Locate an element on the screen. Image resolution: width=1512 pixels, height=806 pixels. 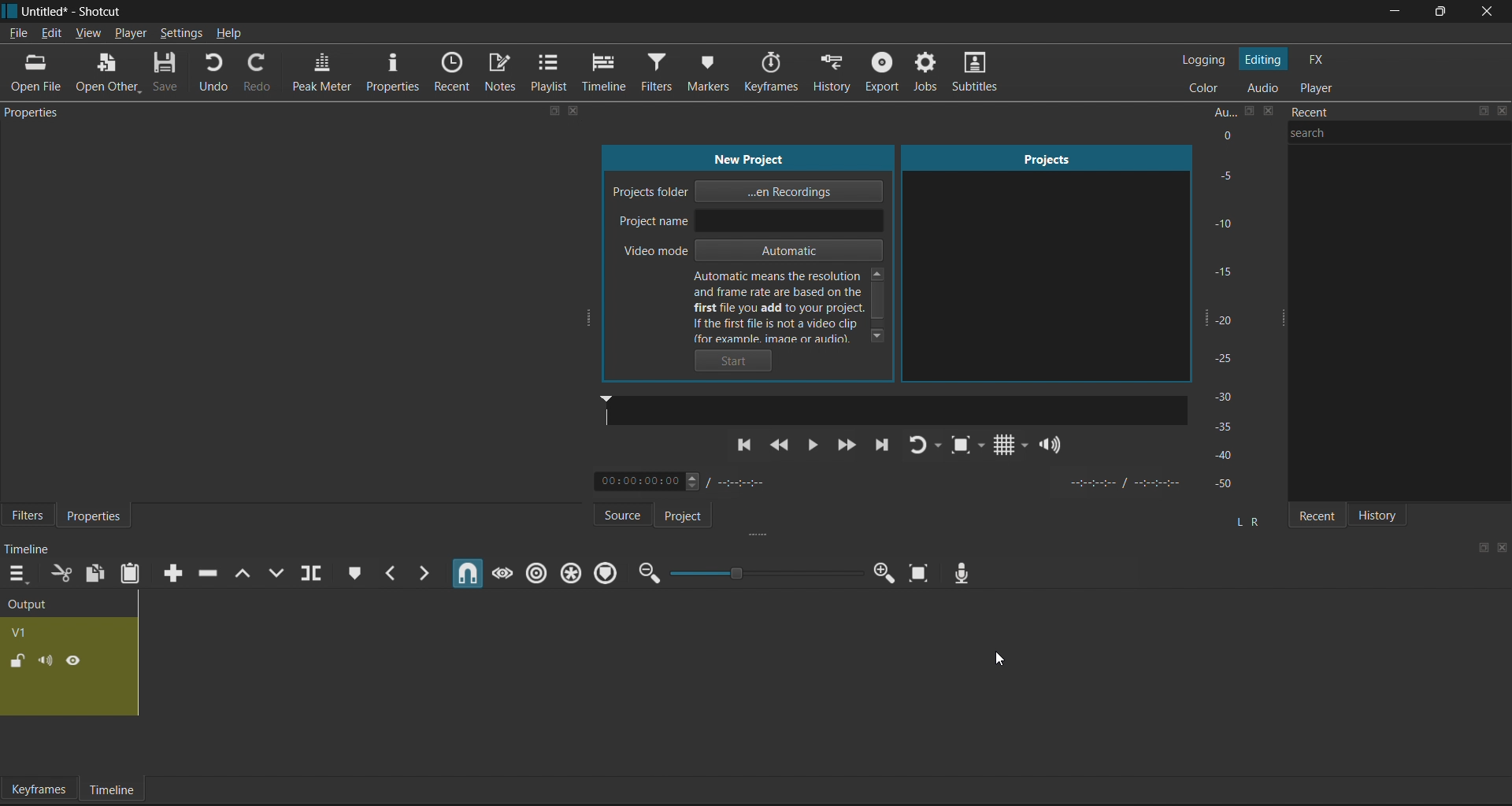
Project folder is located at coordinates (755, 192).